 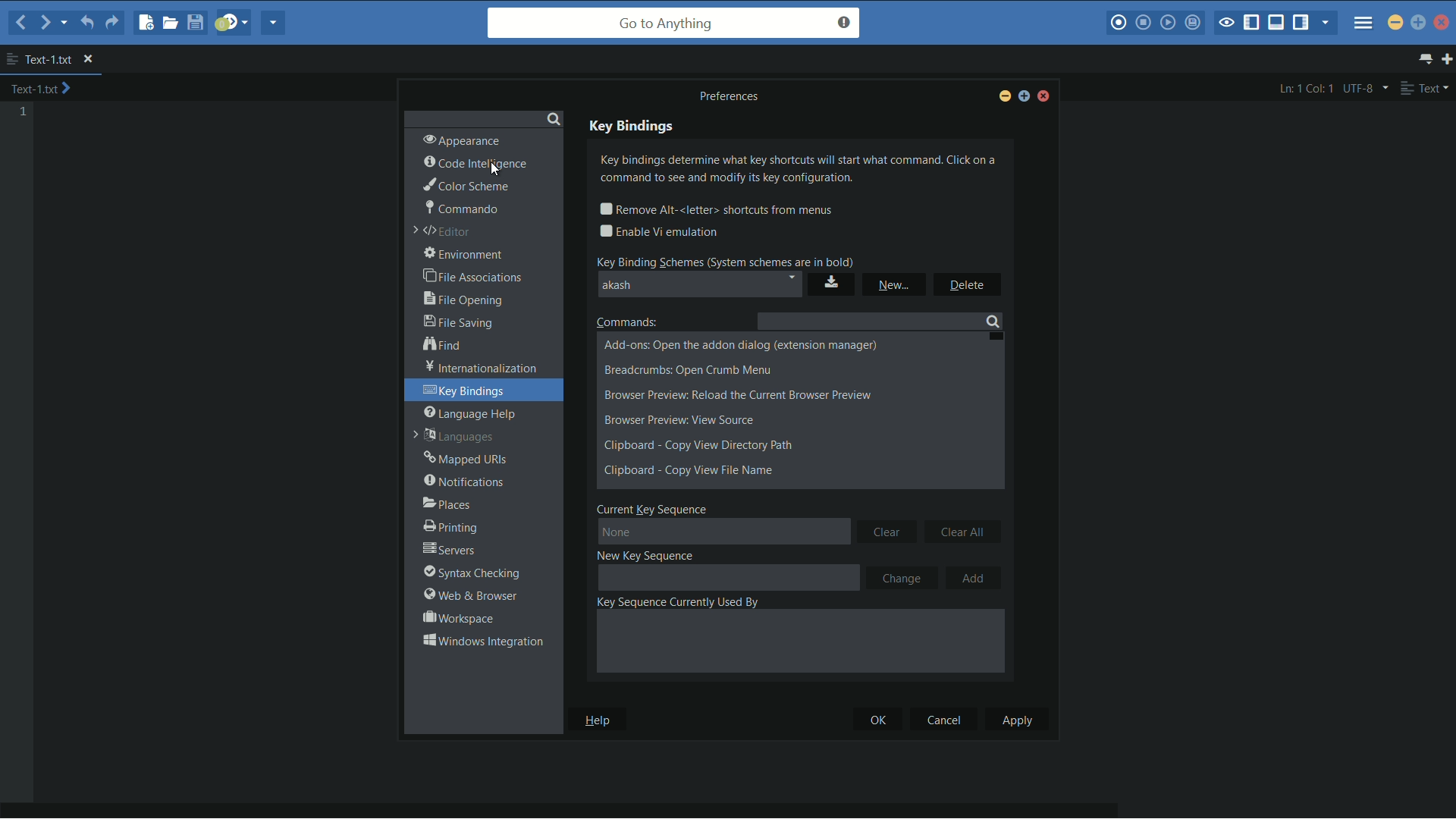 I want to click on workspace, so click(x=457, y=618).